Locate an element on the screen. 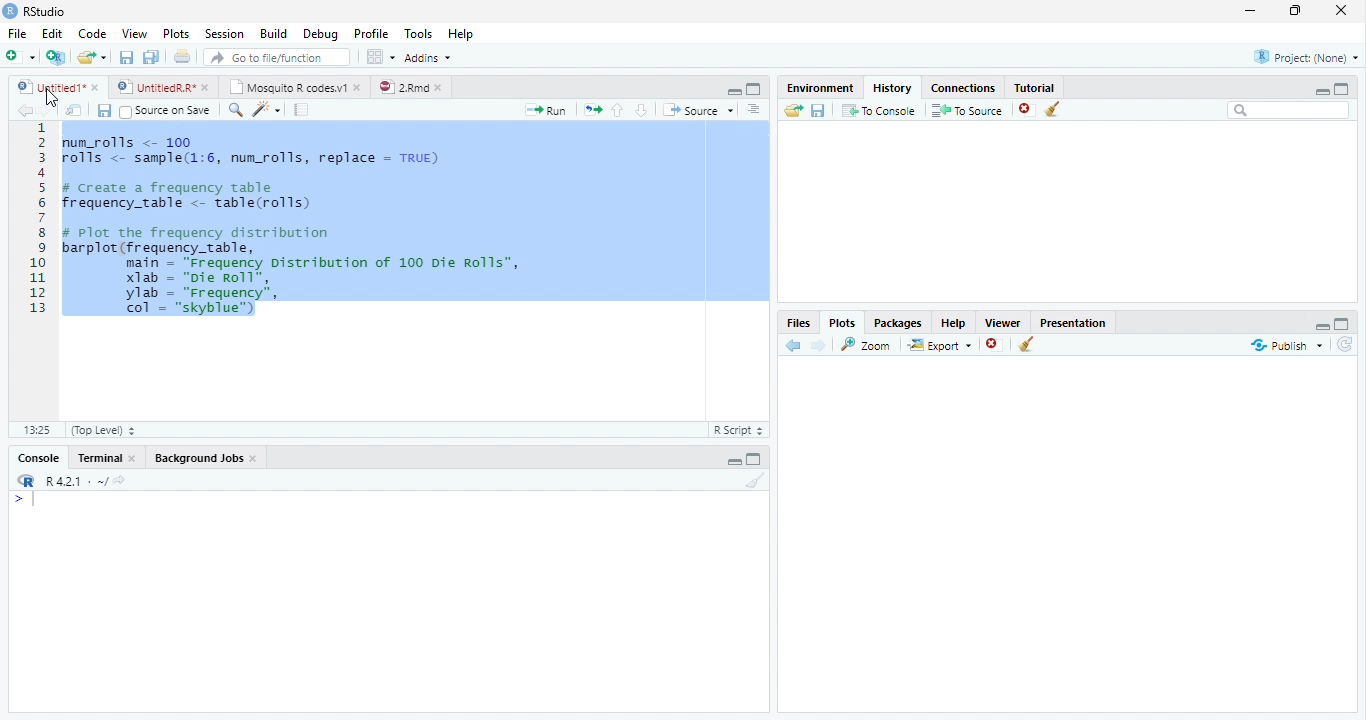  RStudio is located at coordinates (35, 11).